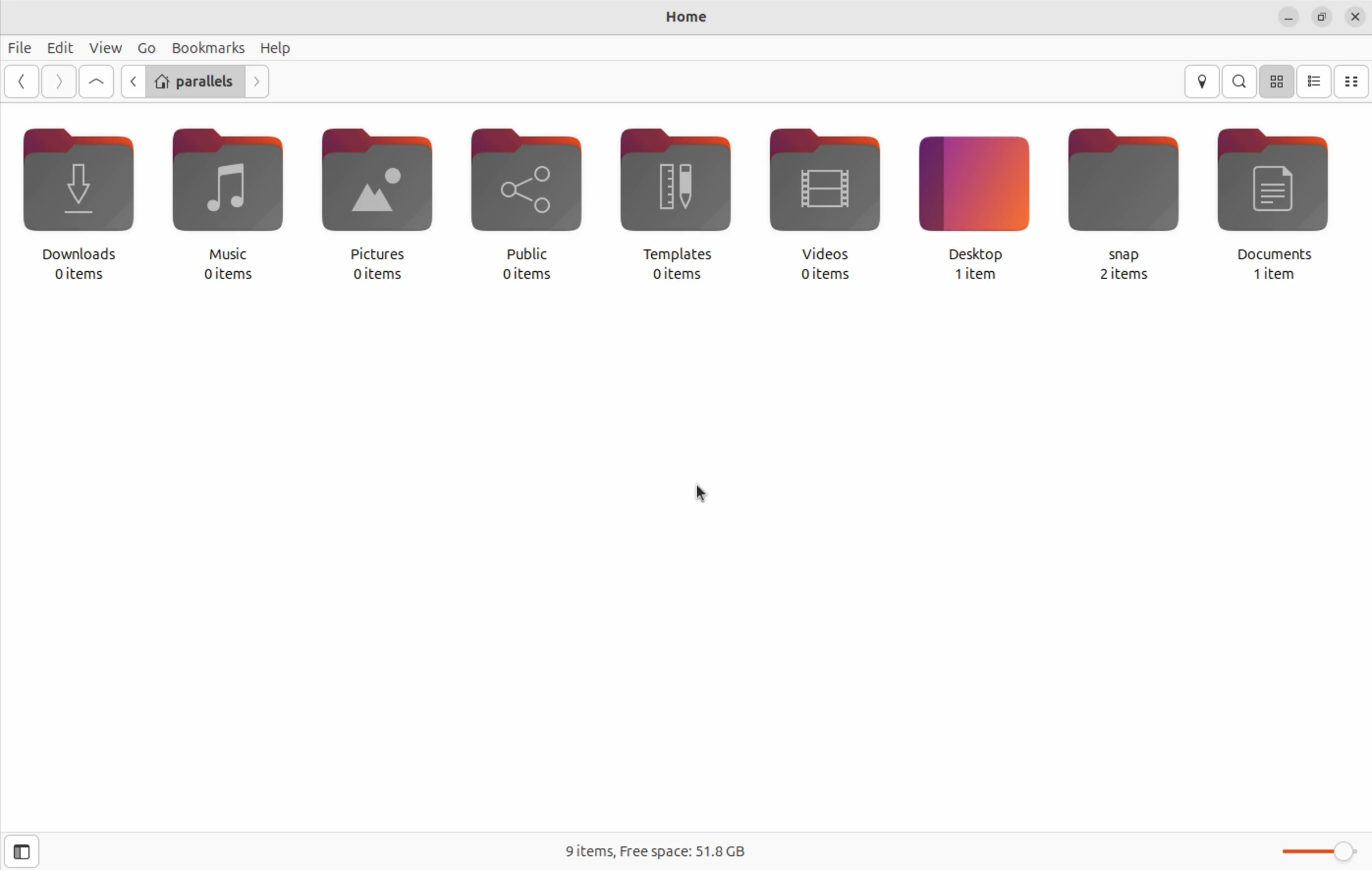 Image resolution: width=1372 pixels, height=870 pixels. I want to click on 2 items, so click(1130, 275).